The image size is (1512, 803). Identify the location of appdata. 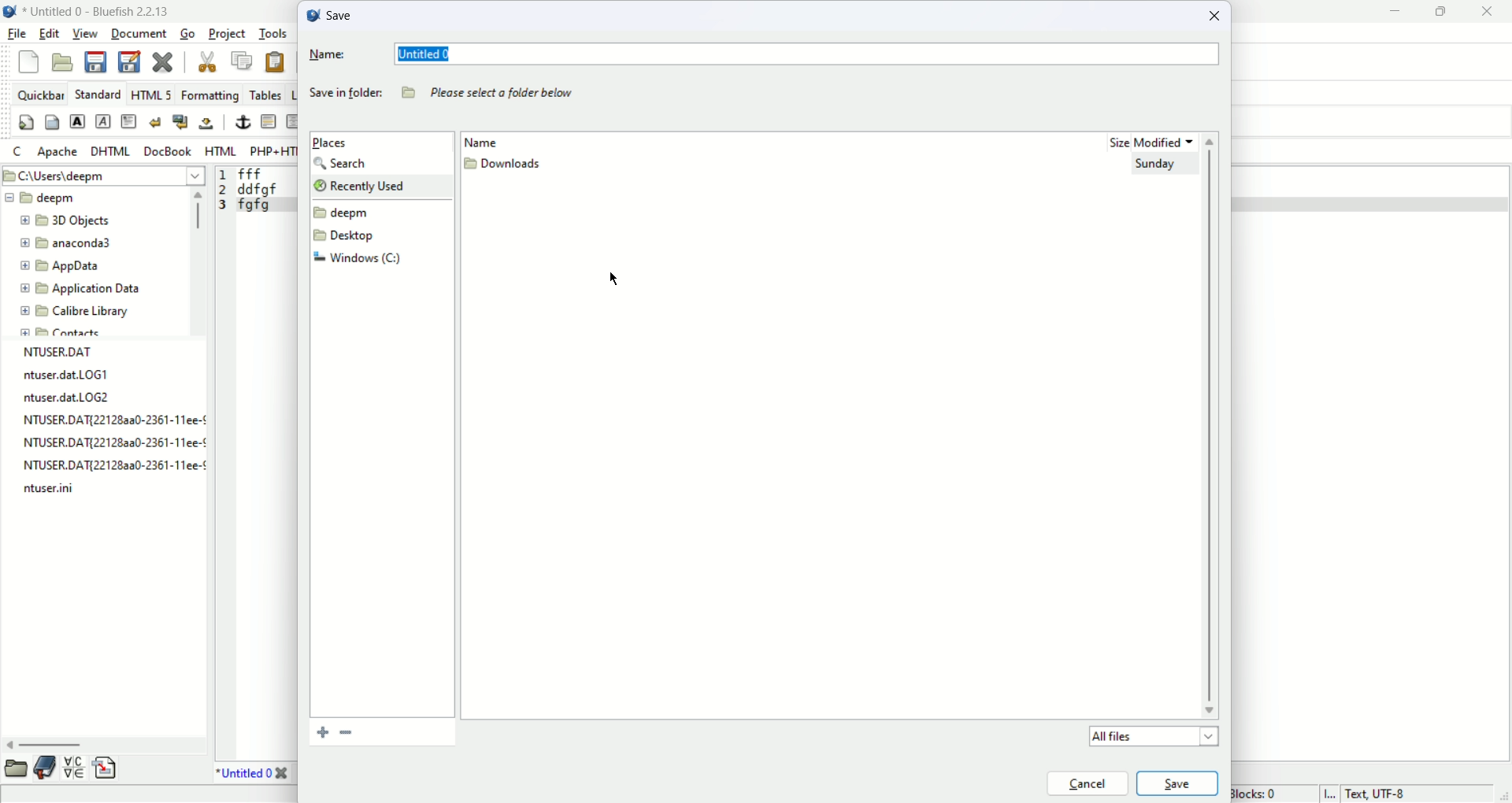
(61, 267).